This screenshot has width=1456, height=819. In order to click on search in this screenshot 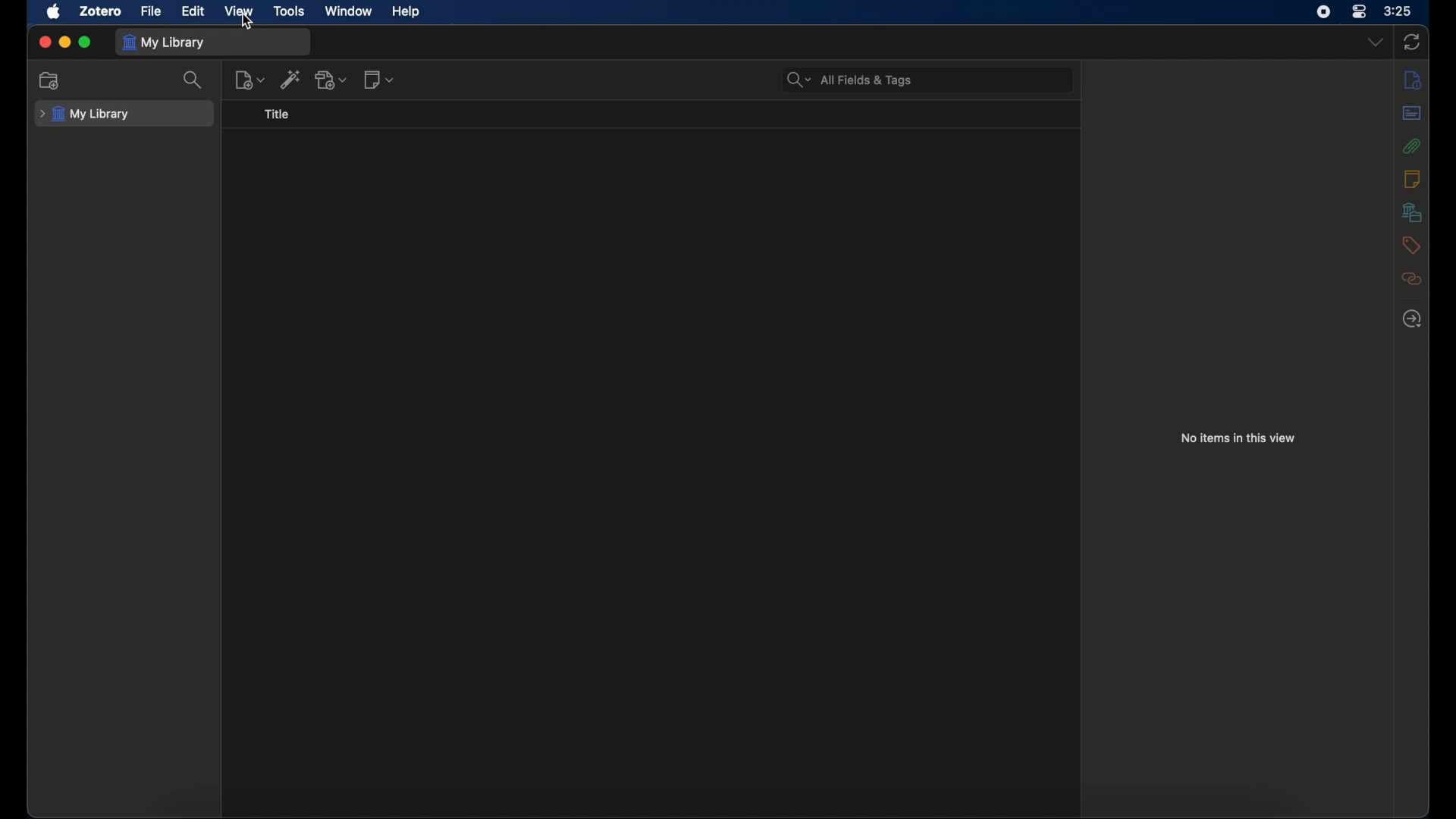, I will do `click(194, 81)`.